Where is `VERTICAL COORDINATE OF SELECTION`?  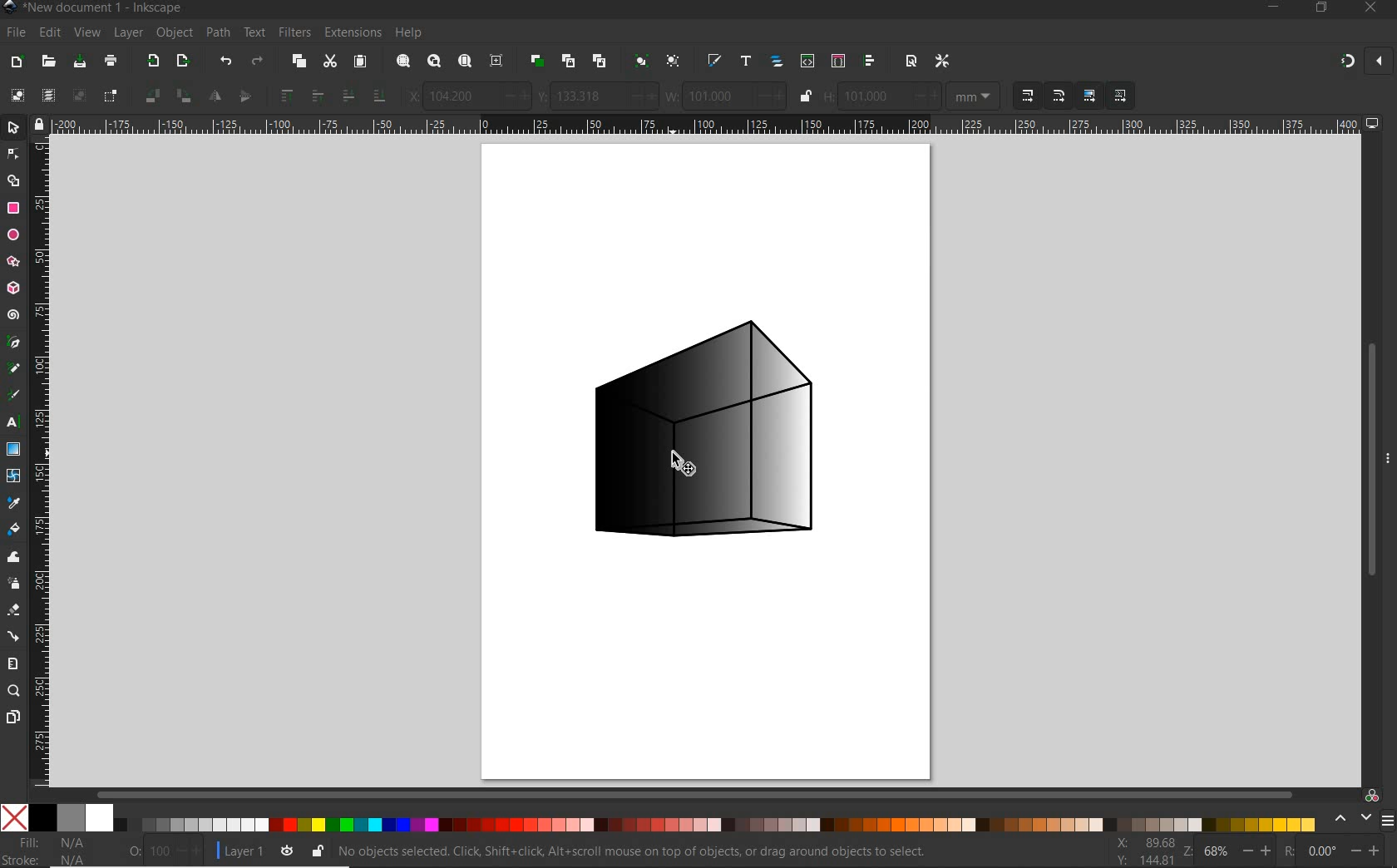 VERTICAL COORDINATE OF SELECTION is located at coordinates (543, 95).